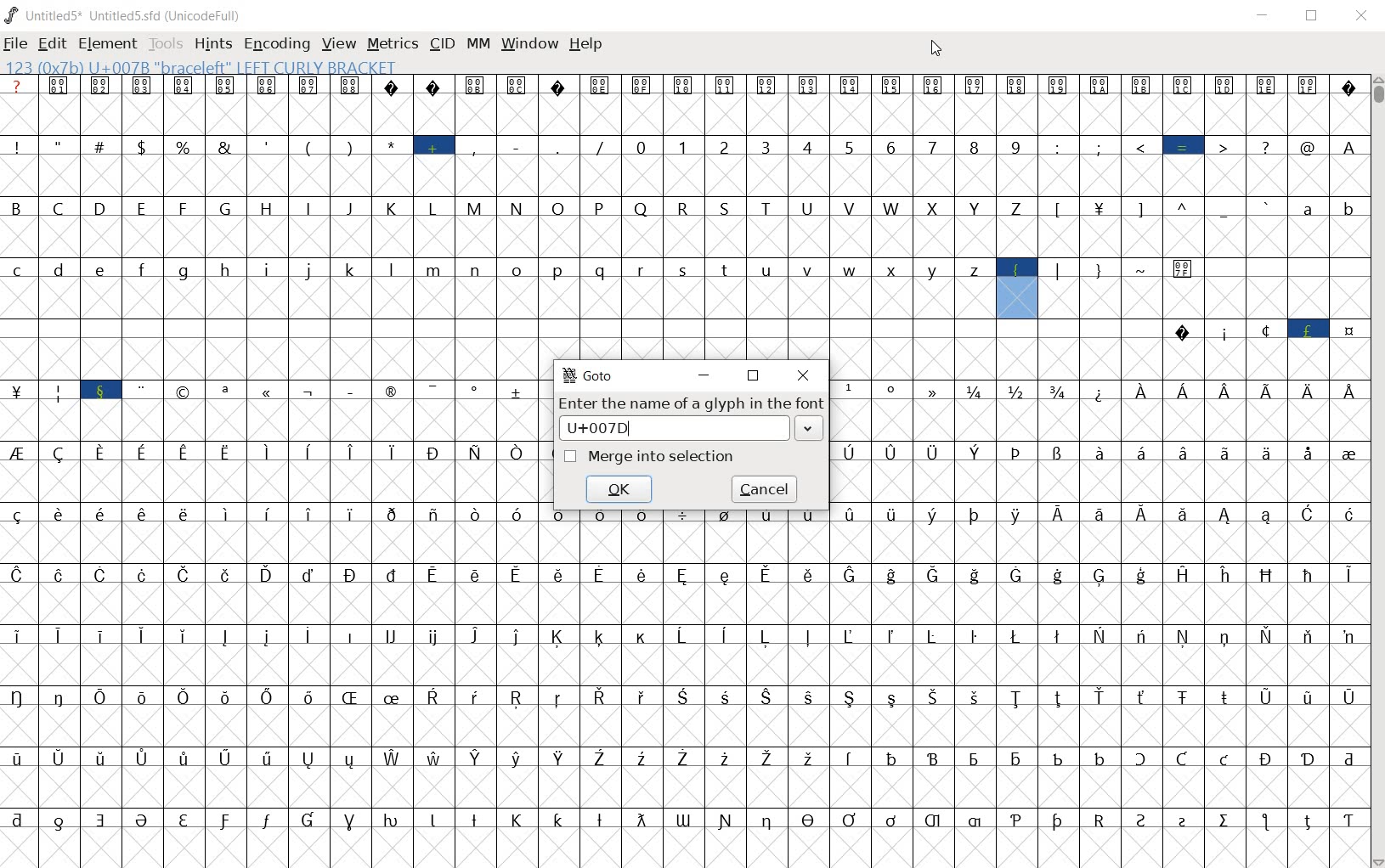 The height and width of the screenshot is (868, 1385). Describe the element at coordinates (769, 488) in the screenshot. I see `cancel` at that location.